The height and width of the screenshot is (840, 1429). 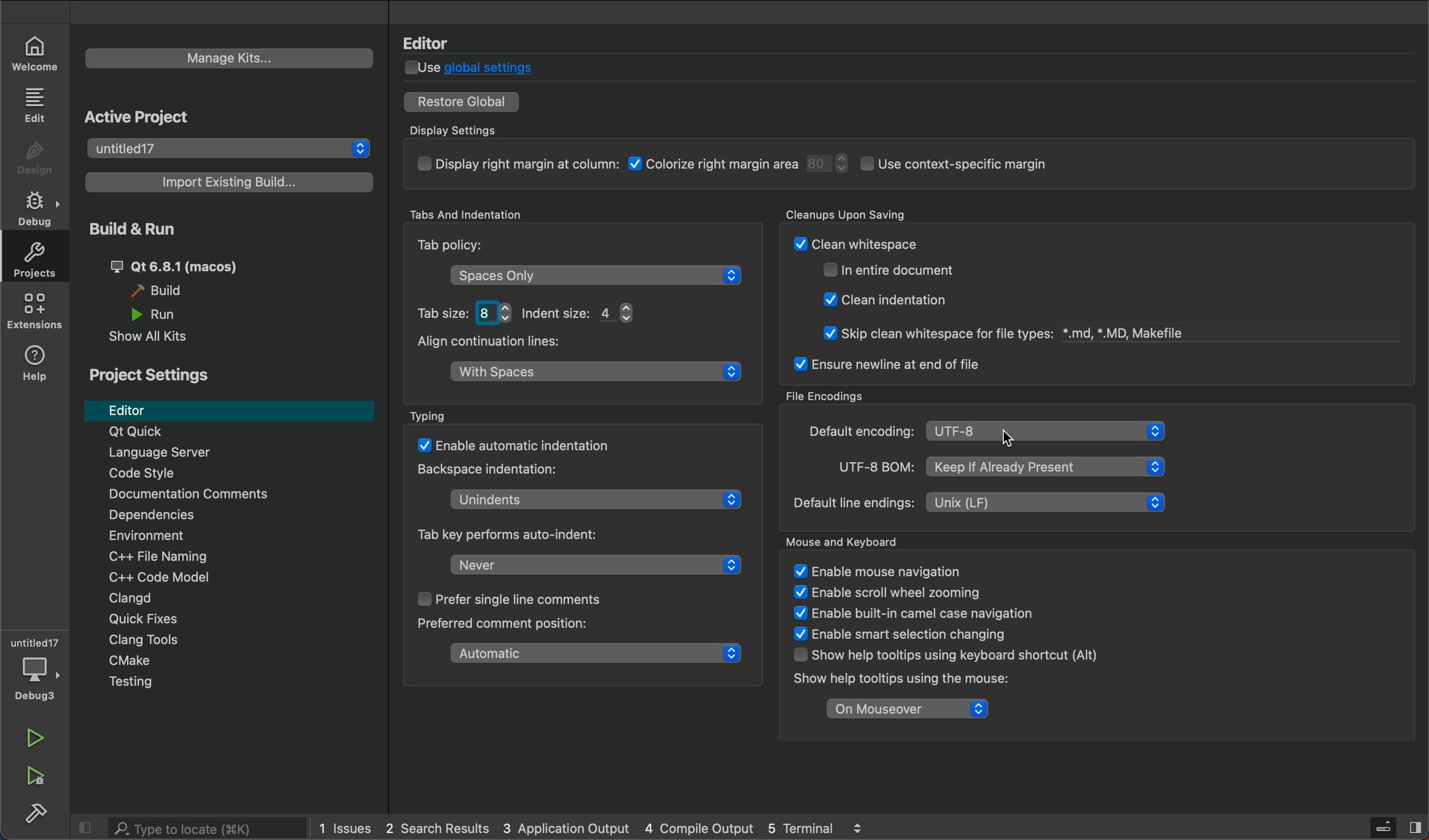 I want to click on code style, so click(x=223, y=475).